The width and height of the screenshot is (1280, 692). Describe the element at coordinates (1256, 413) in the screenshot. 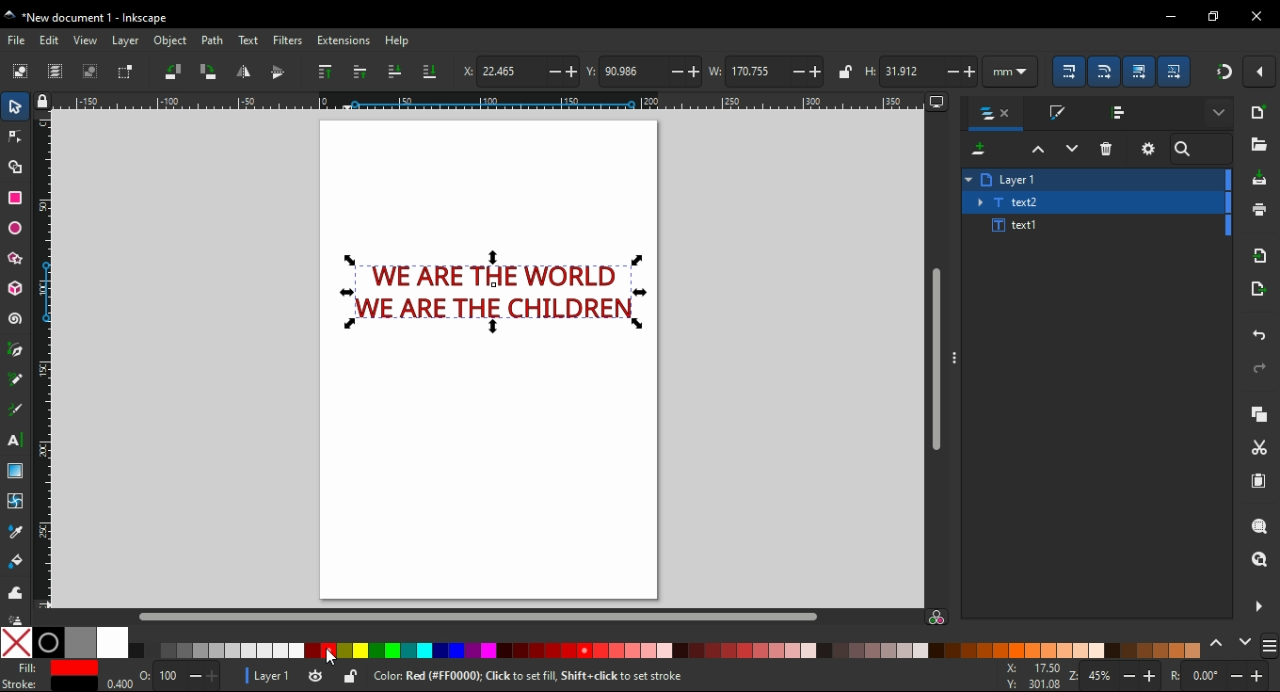

I see `copy` at that location.